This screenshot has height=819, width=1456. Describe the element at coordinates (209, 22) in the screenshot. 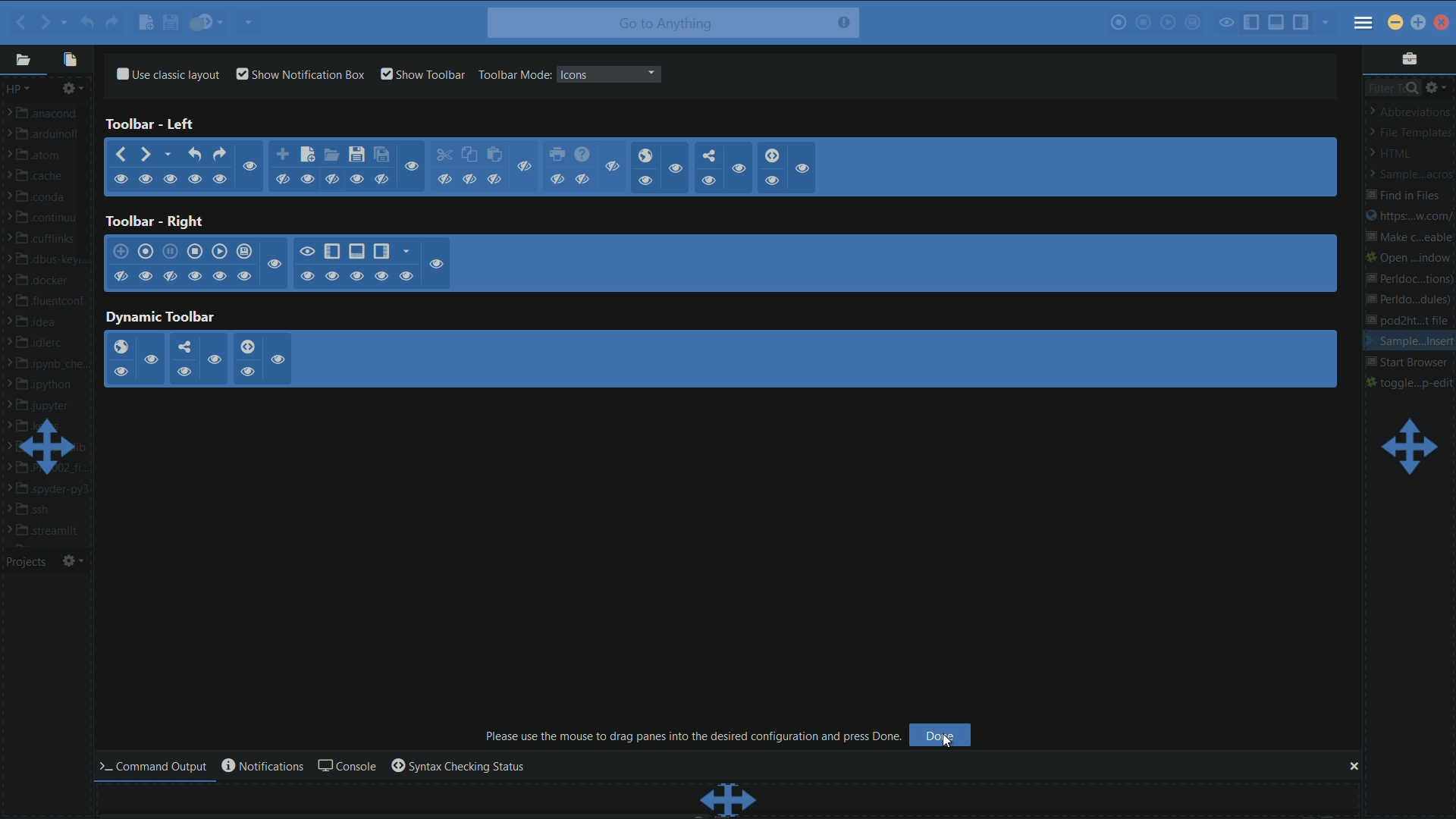

I see `jump to next syntax checking result` at that location.